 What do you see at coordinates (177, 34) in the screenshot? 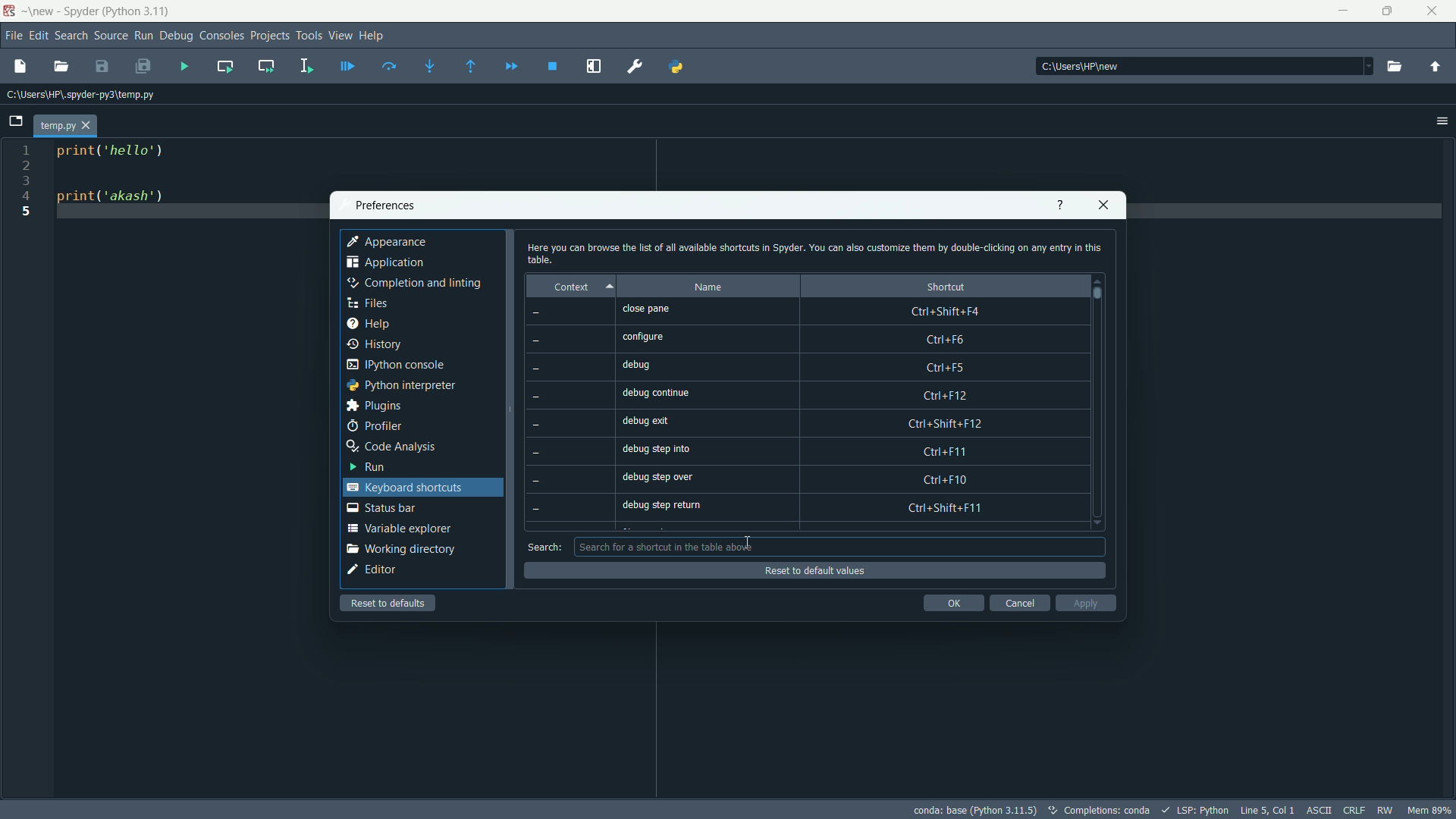
I see `debug menu` at bounding box center [177, 34].